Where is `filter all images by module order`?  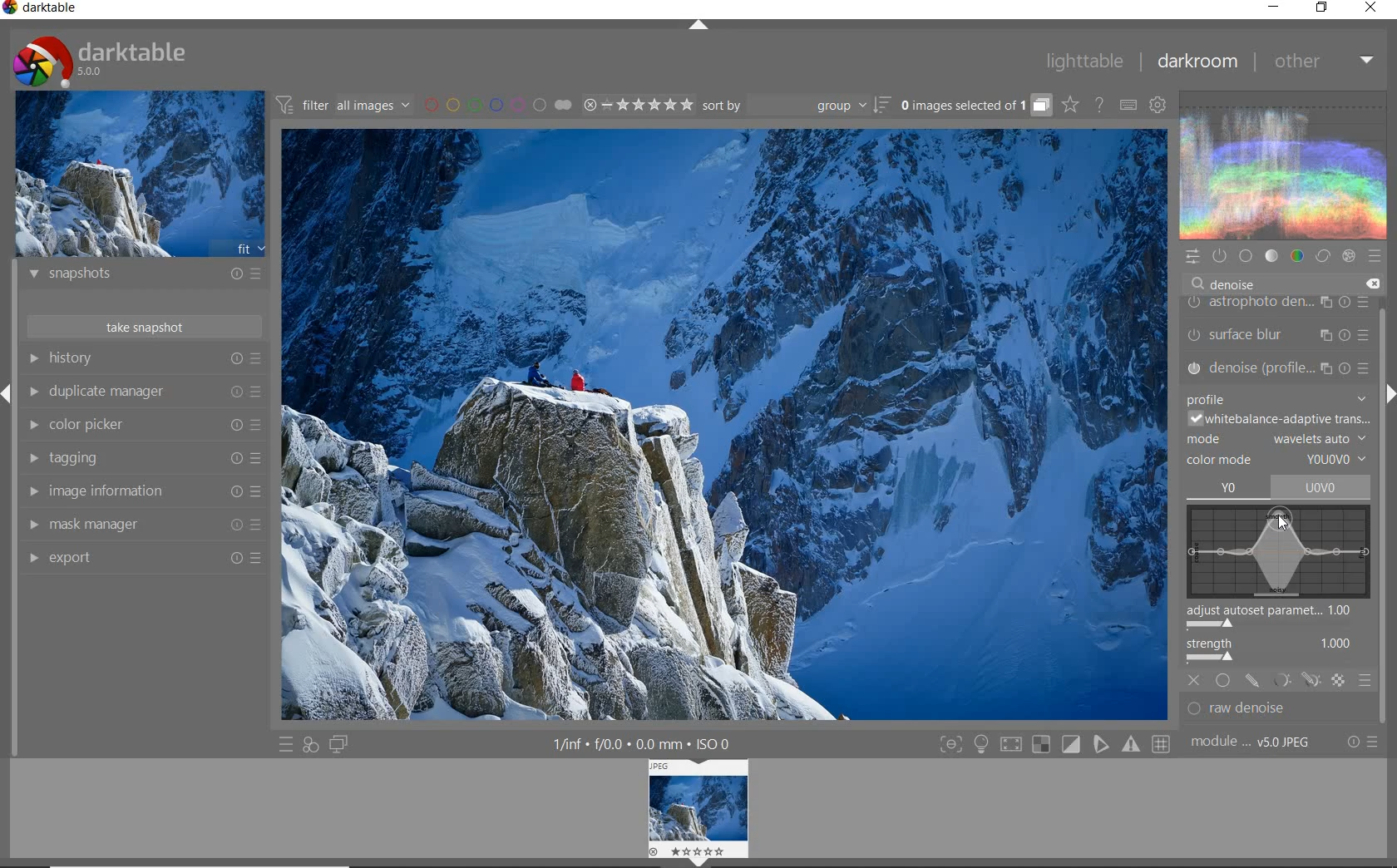 filter all images by module order is located at coordinates (344, 104).